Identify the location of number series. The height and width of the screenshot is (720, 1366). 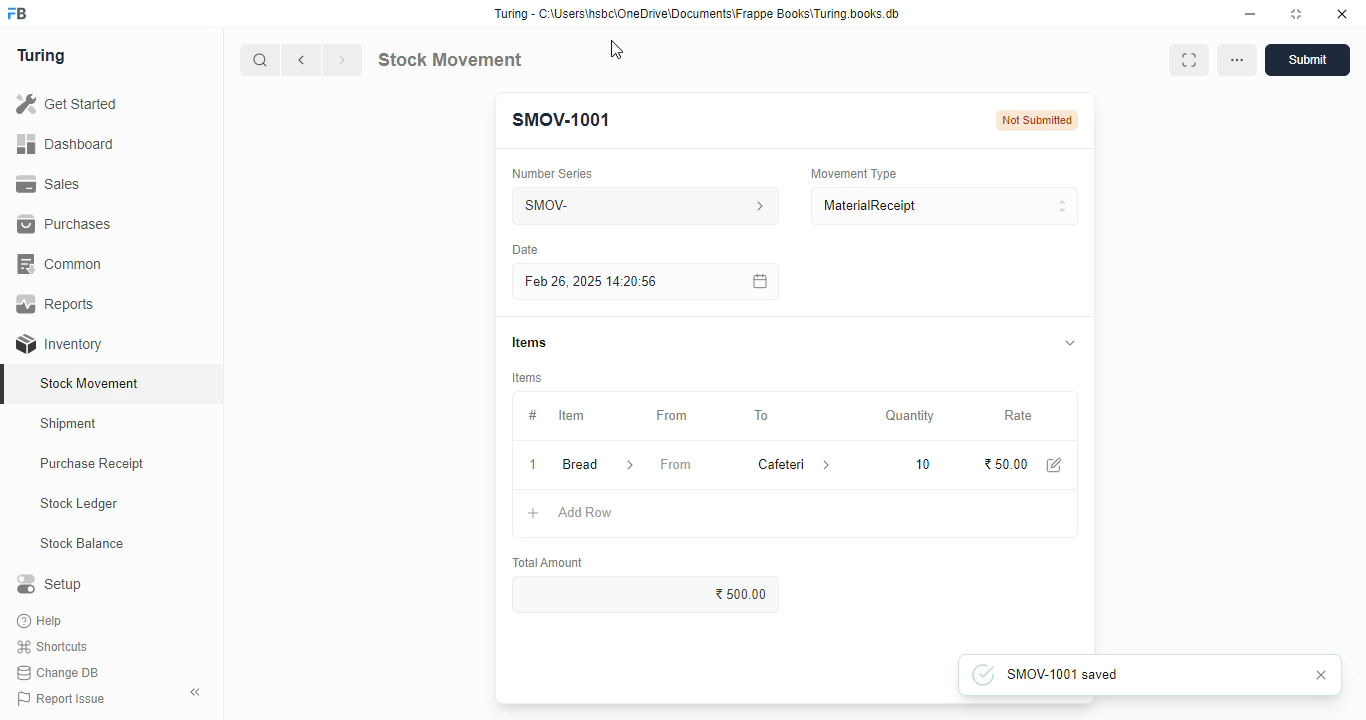
(551, 174).